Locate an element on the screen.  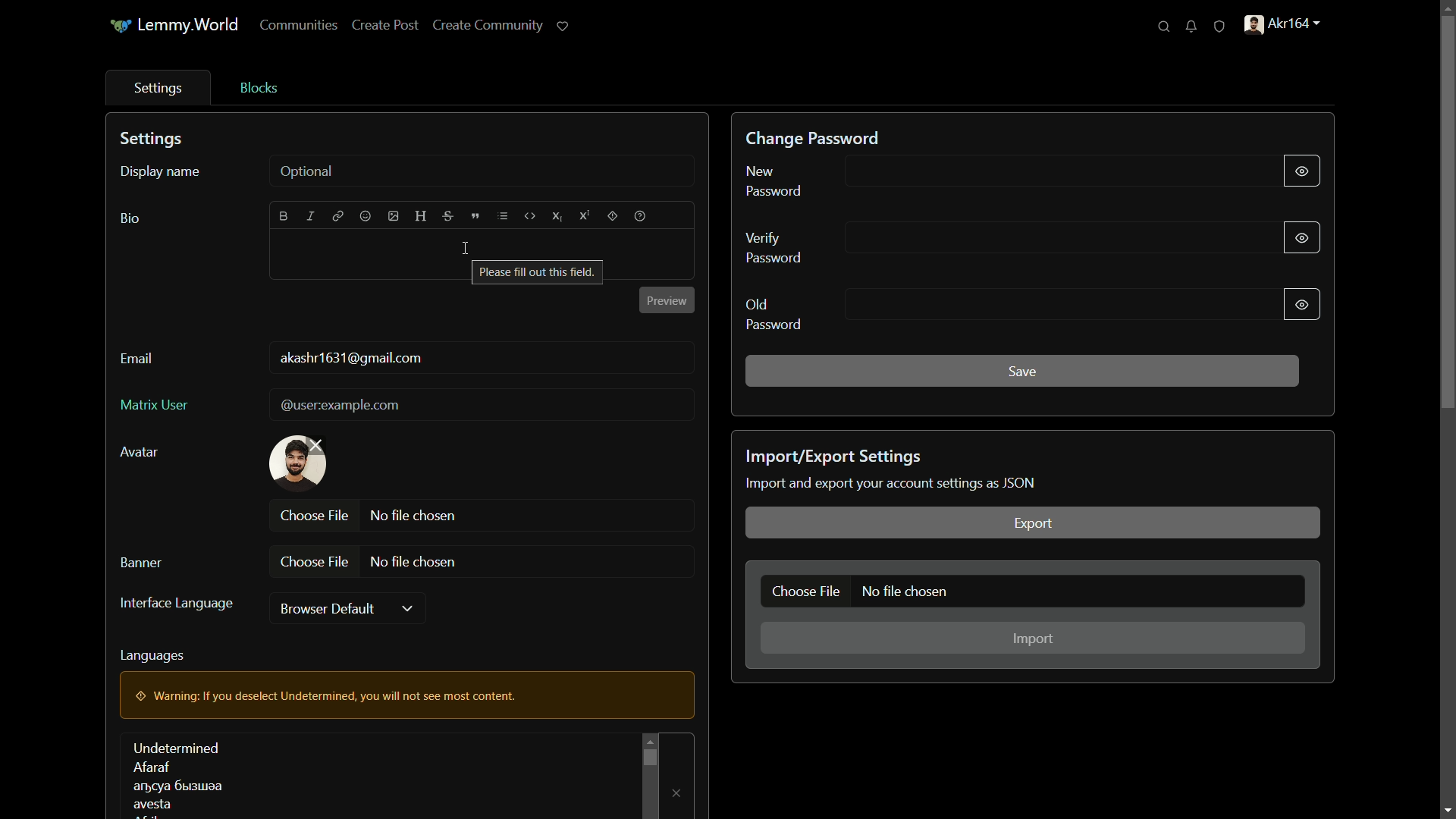
save is located at coordinates (1022, 372).